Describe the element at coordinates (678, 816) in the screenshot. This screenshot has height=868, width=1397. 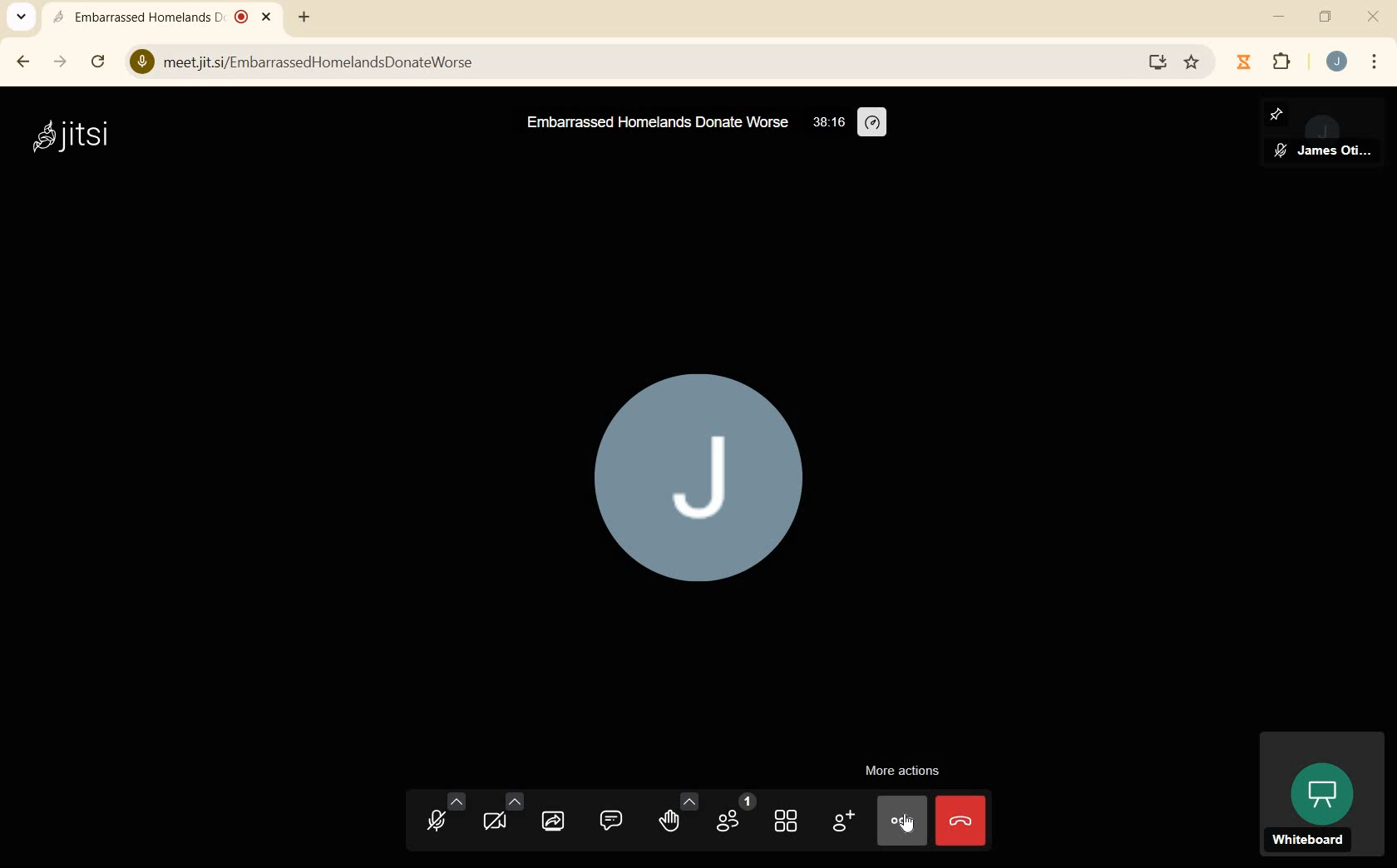
I see `raise your hand` at that location.